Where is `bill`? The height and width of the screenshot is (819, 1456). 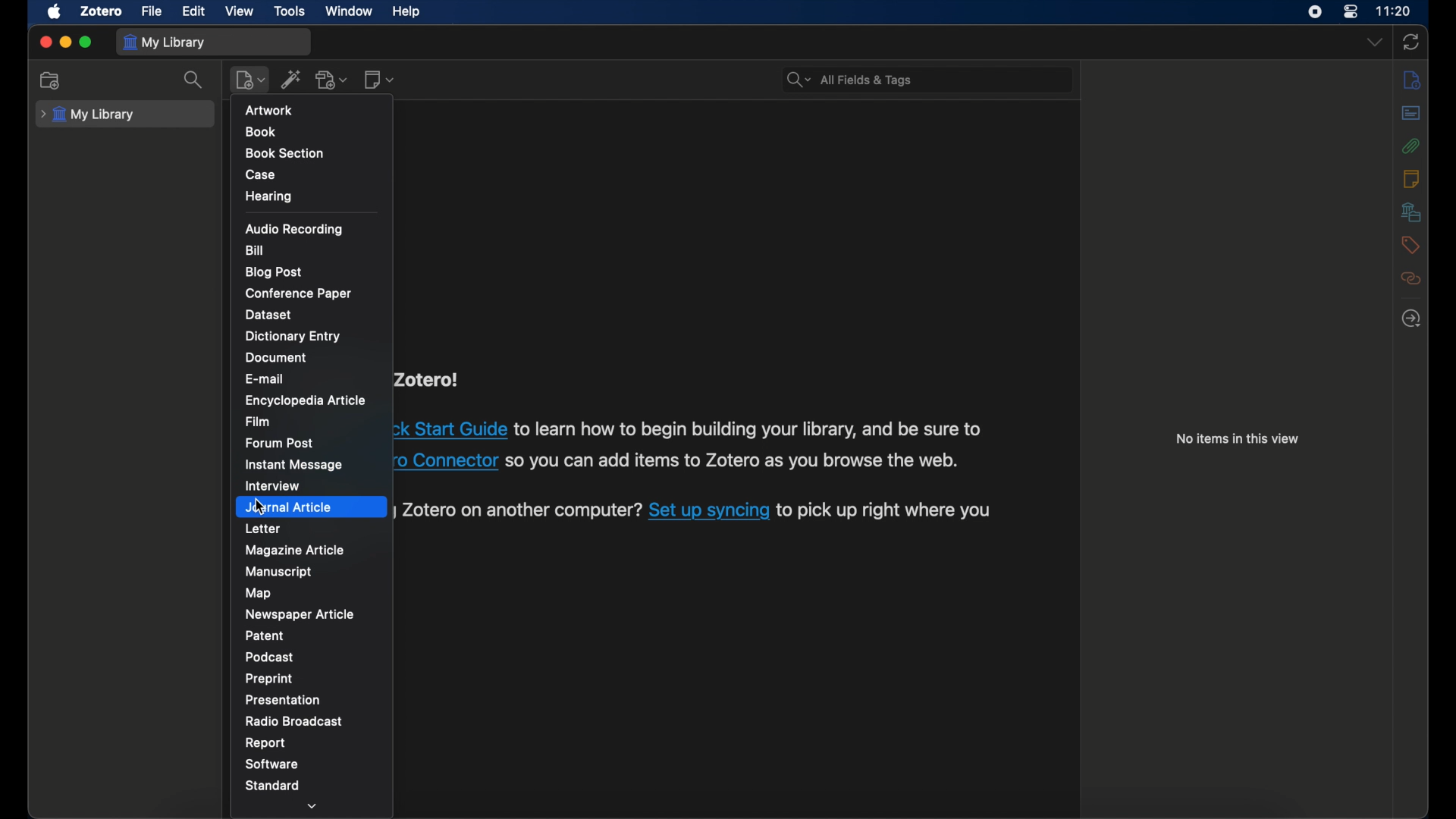 bill is located at coordinates (255, 250).